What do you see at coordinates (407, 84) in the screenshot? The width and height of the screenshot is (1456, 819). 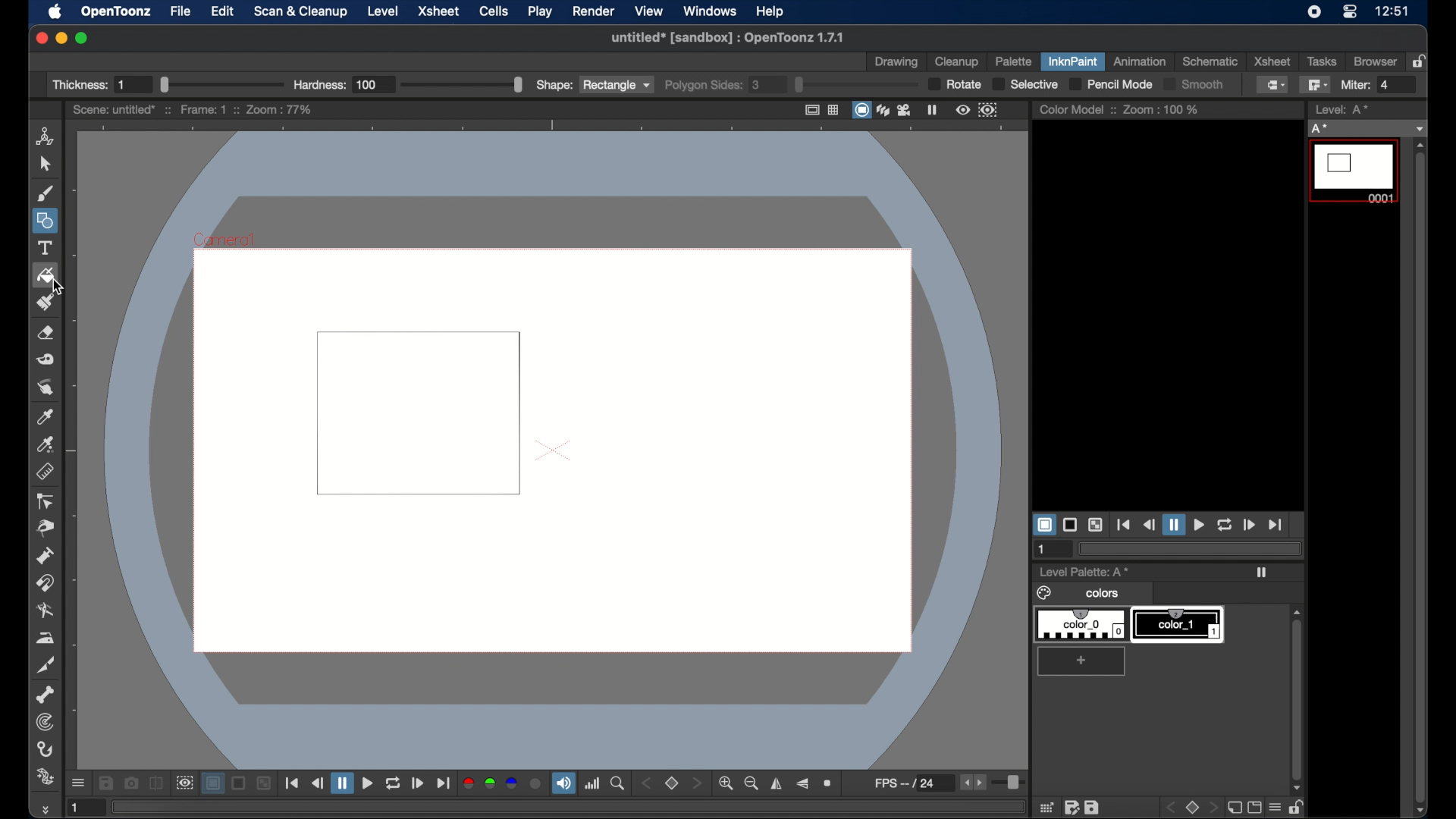 I see `Hardness` at bounding box center [407, 84].